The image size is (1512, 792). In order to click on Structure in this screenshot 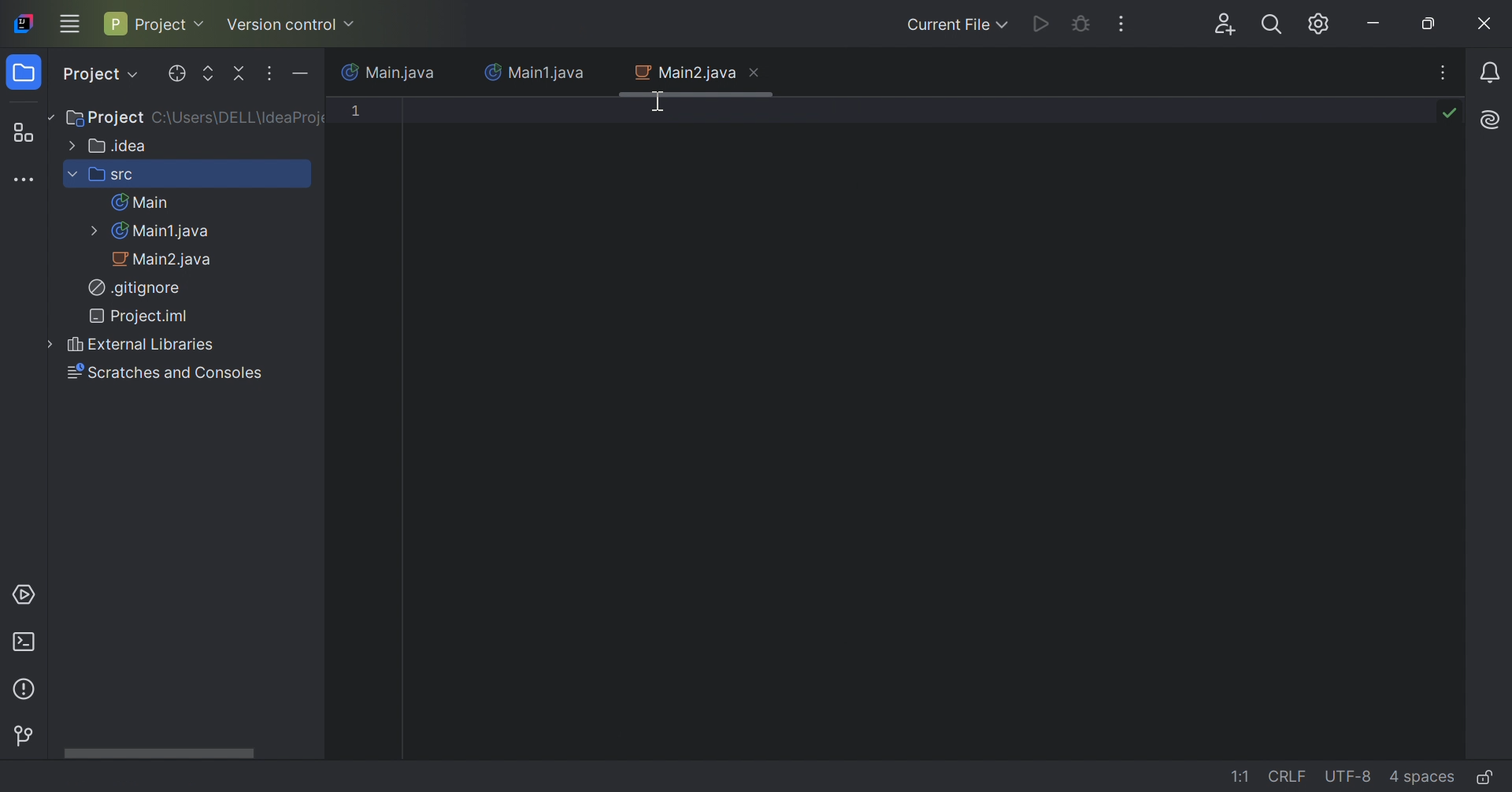, I will do `click(29, 132)`.